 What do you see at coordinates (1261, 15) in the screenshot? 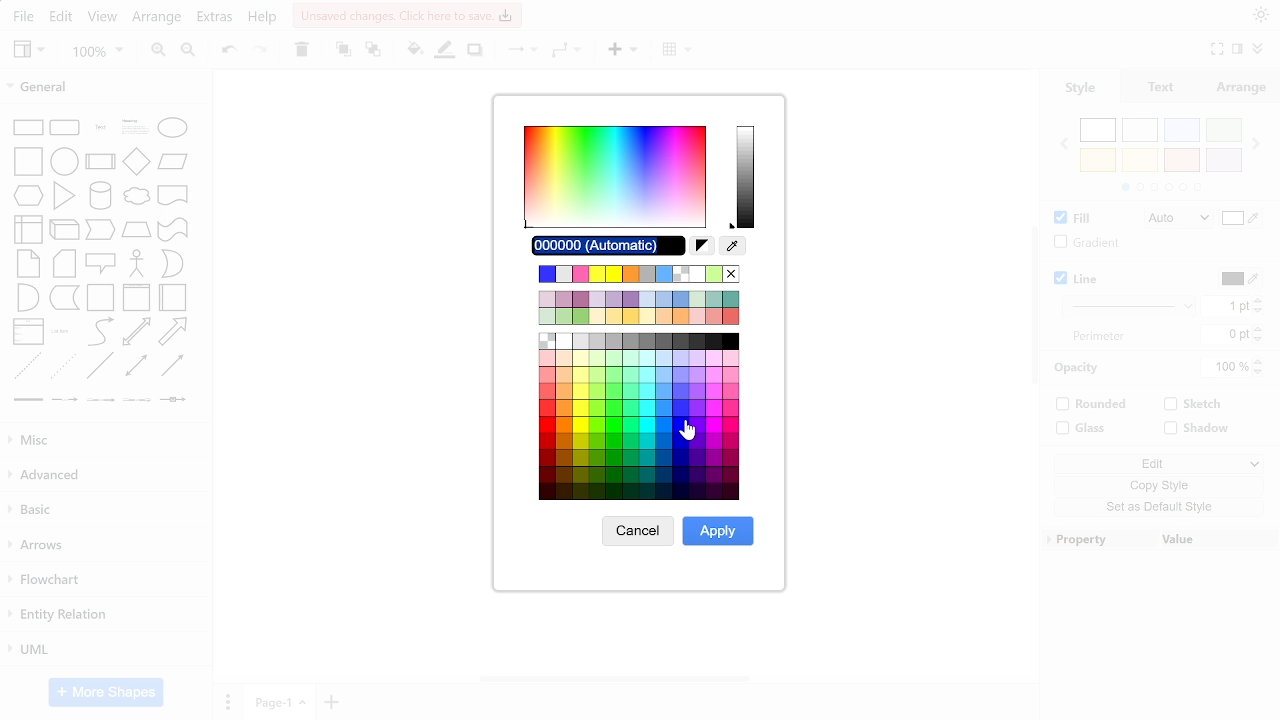
I see `apearence` at bounding box center [1261, 15].